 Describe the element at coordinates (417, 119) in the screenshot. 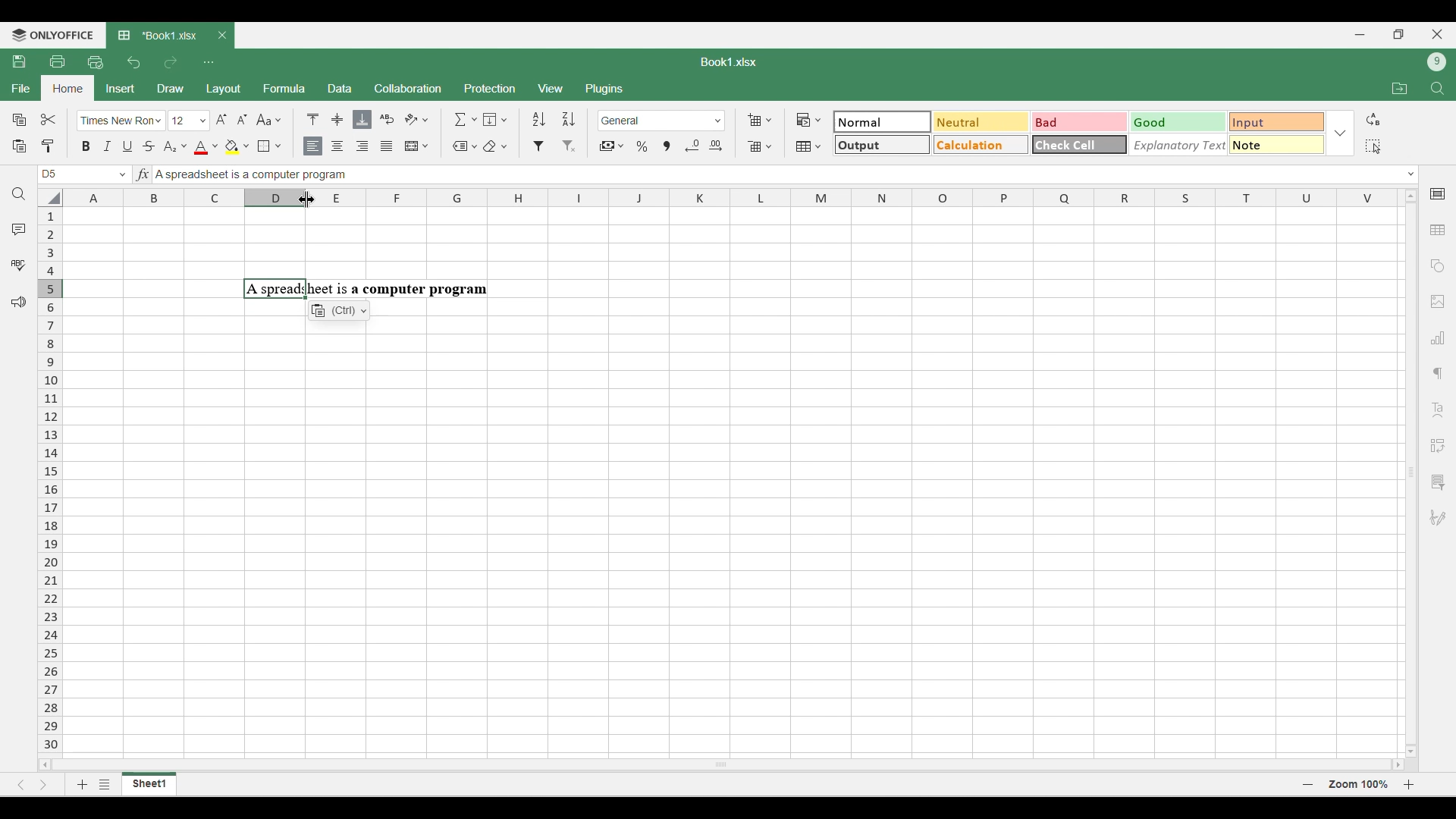

I see `Orientation options` at that location.